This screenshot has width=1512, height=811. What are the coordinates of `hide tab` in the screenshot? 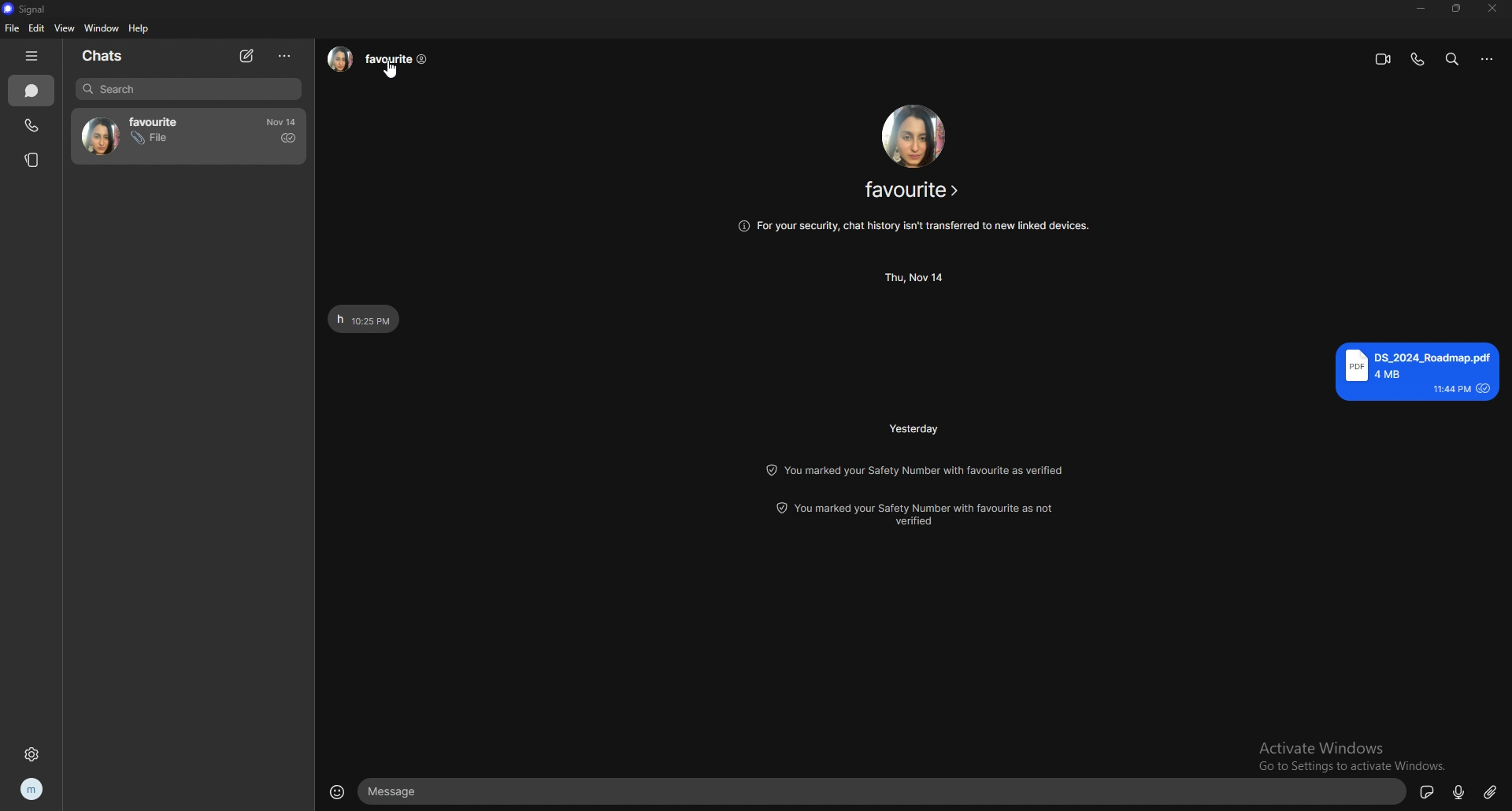 It's located at (31, 56).